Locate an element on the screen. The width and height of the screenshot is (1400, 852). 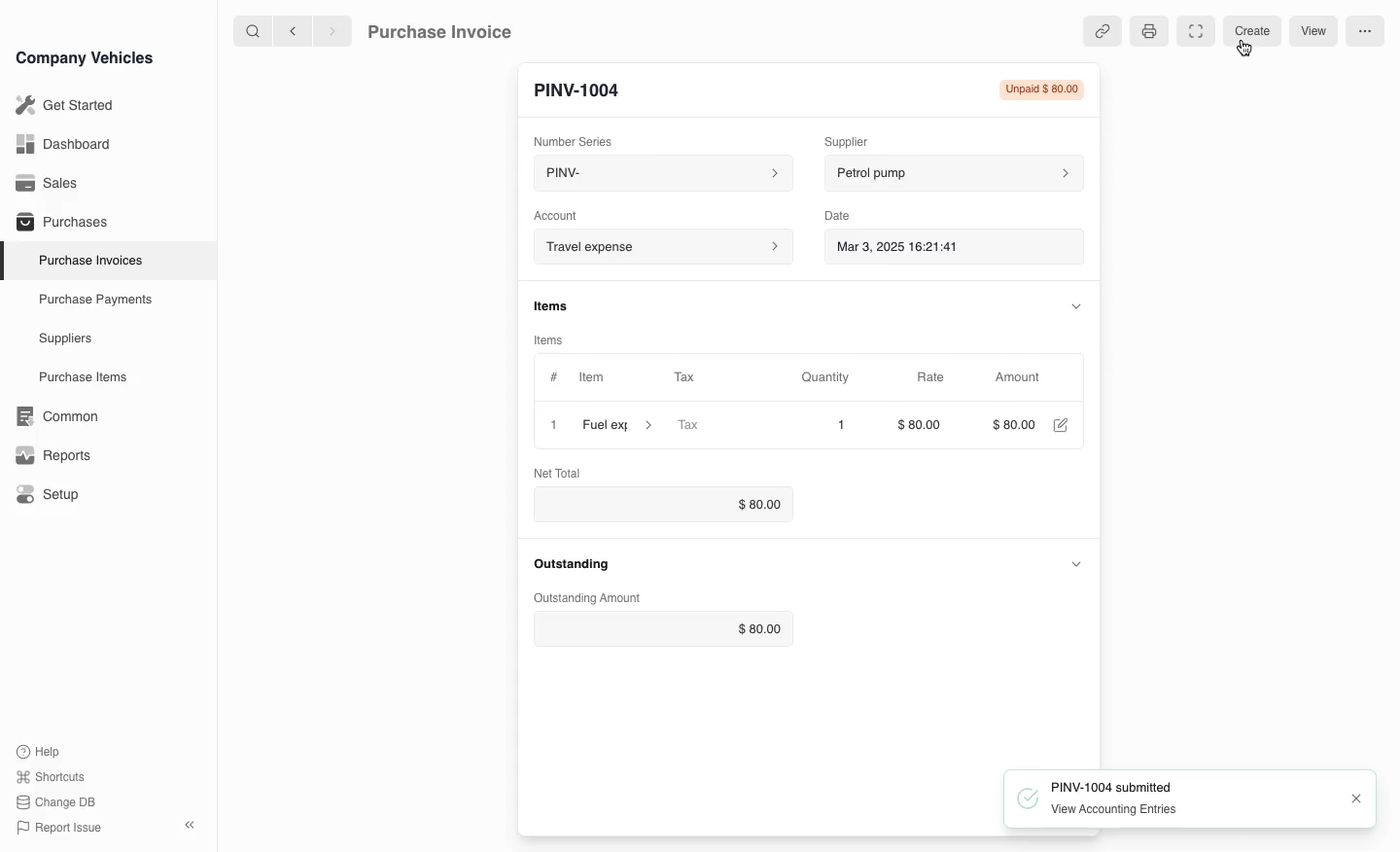
full screen is located at coordinates (1194, 31).